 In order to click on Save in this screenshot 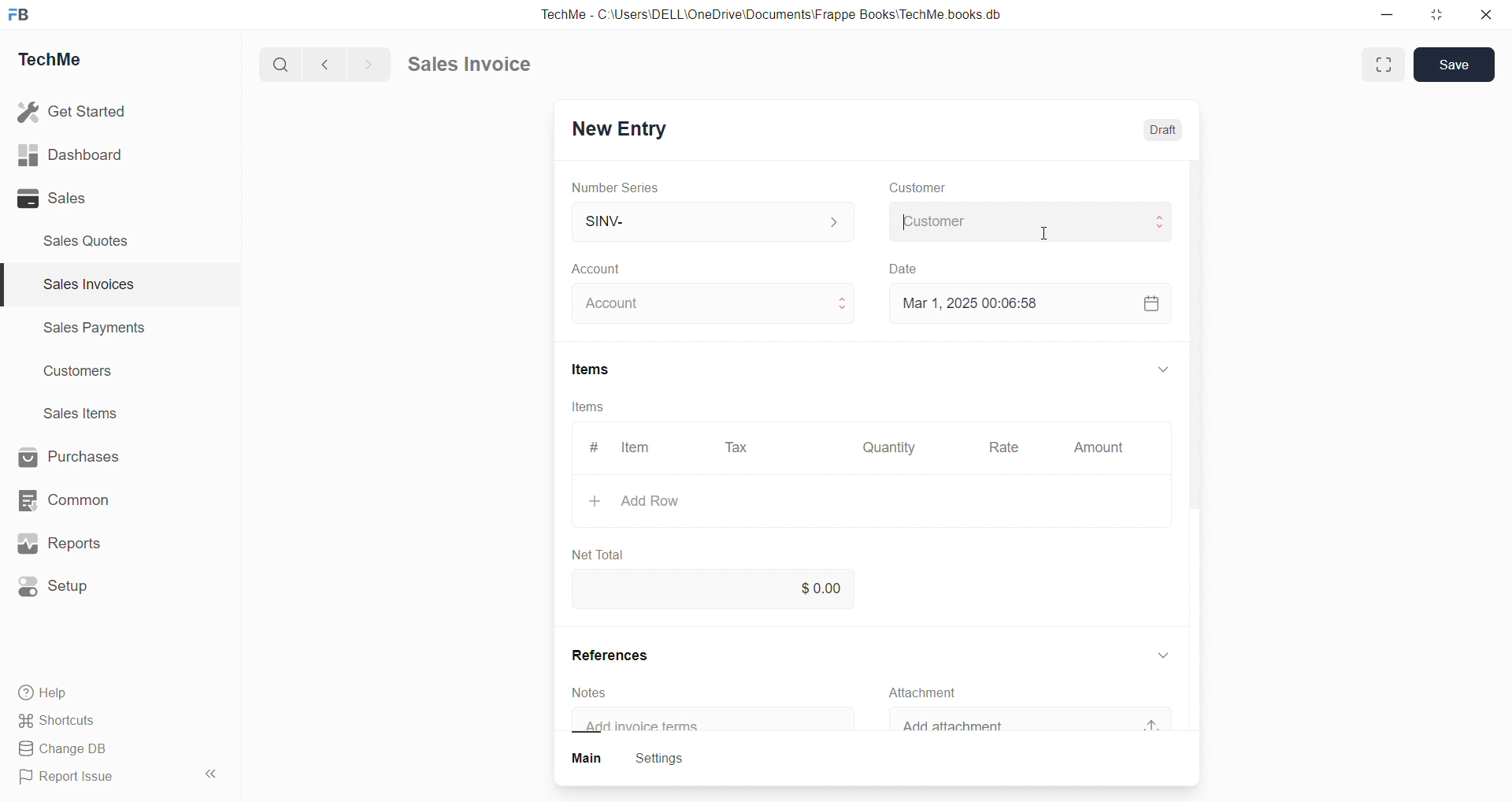, I will do `click(1458, 64)`.